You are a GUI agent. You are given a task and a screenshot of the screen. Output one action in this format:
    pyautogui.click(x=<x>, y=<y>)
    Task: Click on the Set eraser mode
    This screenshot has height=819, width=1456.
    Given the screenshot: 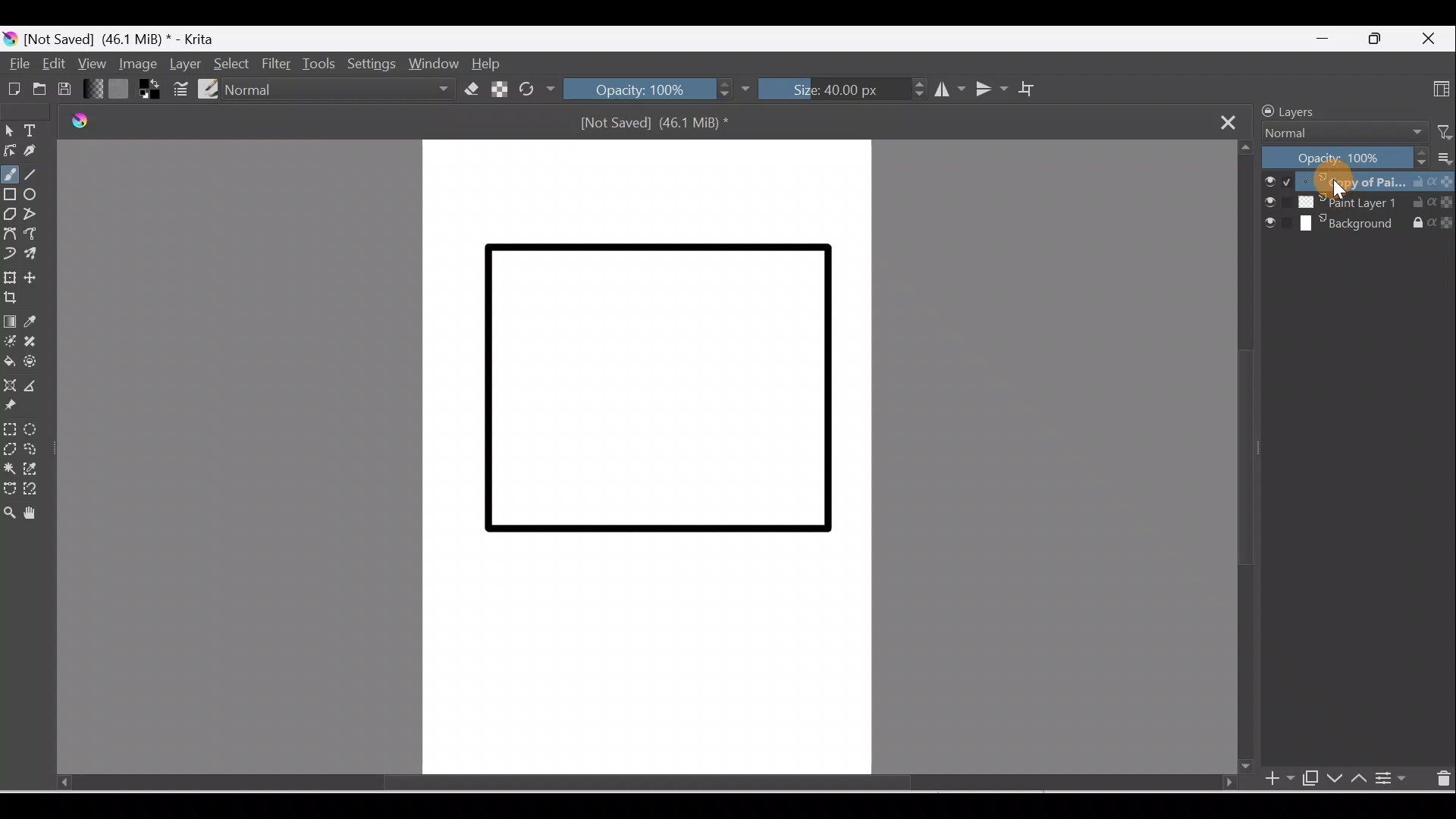 What is the action you would take?
    pyautogui.click(x=471, y=89)
    